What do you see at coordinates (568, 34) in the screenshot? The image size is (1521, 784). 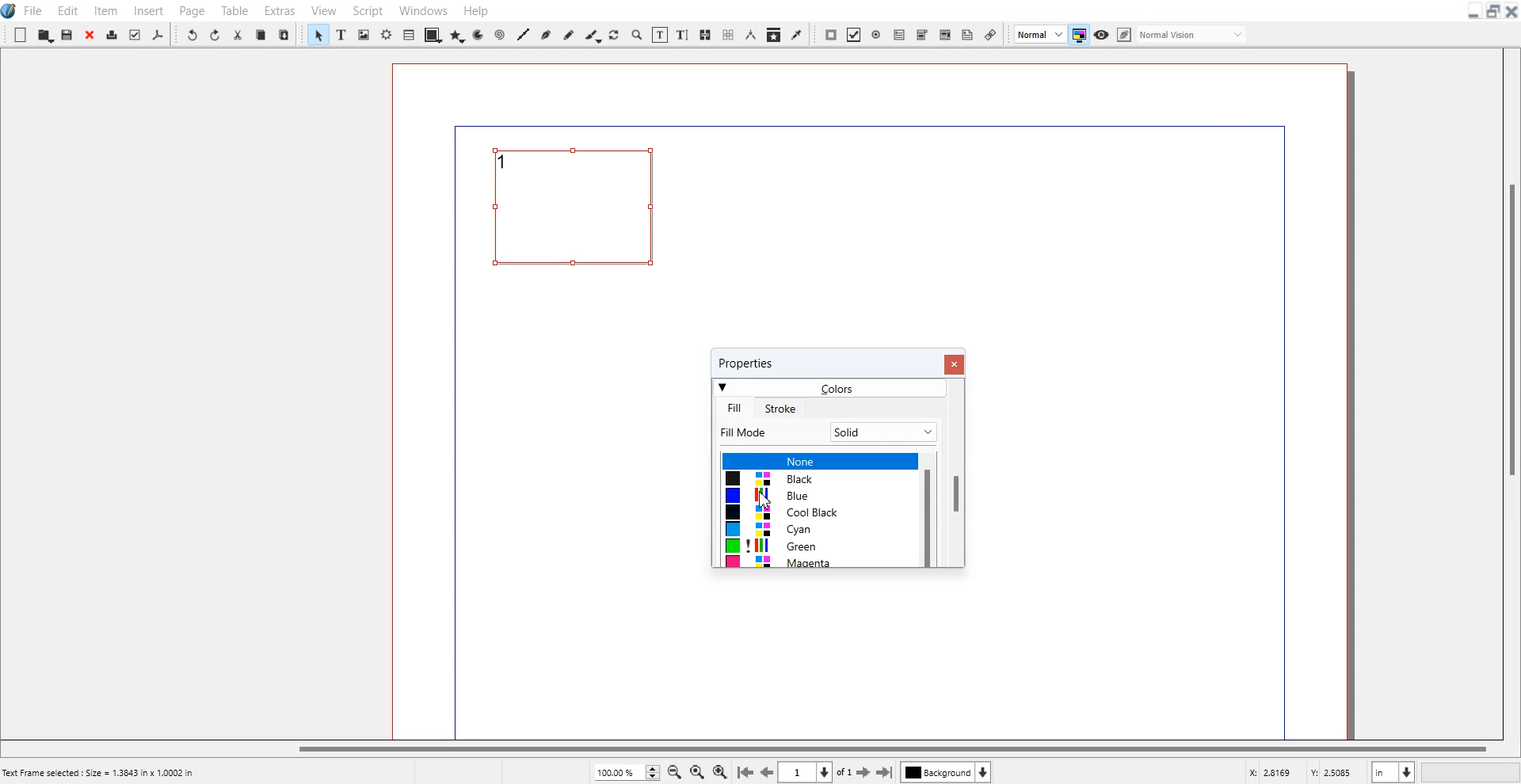 I see `Freehand line` at bounding box center [568, 34].